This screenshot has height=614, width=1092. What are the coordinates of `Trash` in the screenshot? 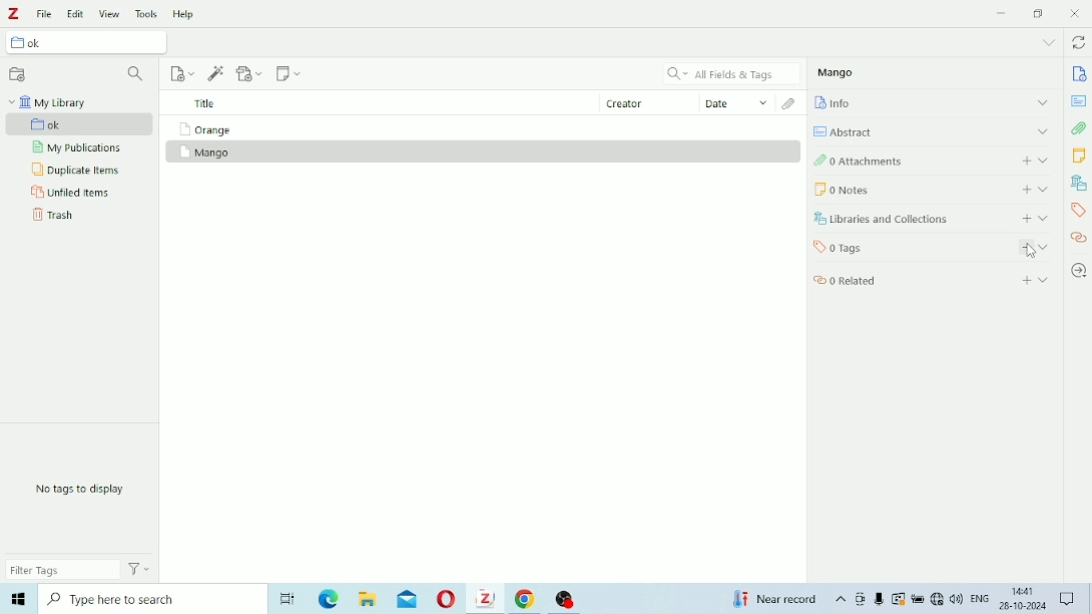 It's located at (56, 214).